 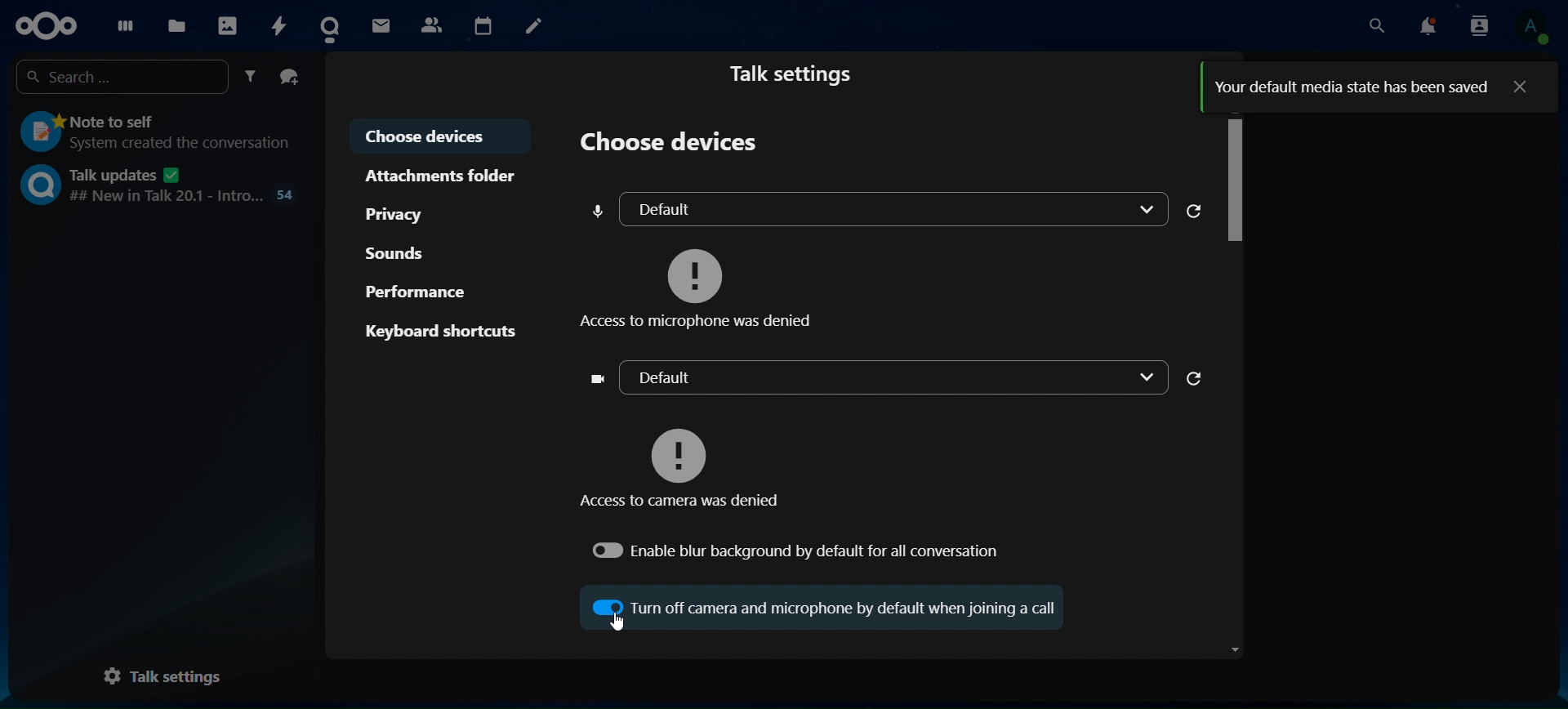 What do you see at coordinates (441, 328) in the screenshot?
I see `keyboard shortcuts` at bounding box center [441, 328].